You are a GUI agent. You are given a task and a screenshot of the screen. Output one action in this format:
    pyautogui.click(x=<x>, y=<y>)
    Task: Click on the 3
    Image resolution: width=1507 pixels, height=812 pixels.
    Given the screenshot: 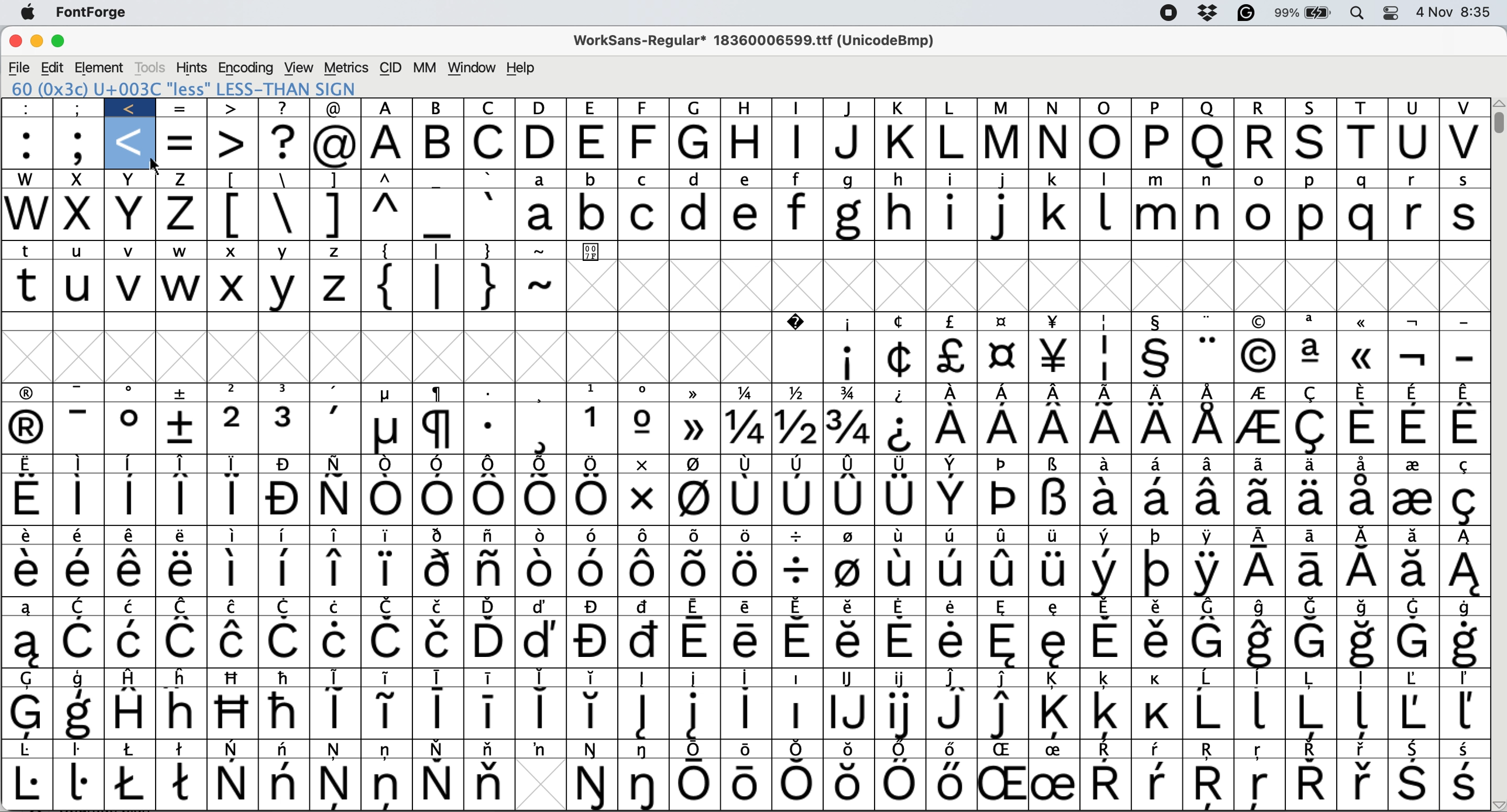 What is the action you would take?
    pyautogui.click(x=287, y=426)
    